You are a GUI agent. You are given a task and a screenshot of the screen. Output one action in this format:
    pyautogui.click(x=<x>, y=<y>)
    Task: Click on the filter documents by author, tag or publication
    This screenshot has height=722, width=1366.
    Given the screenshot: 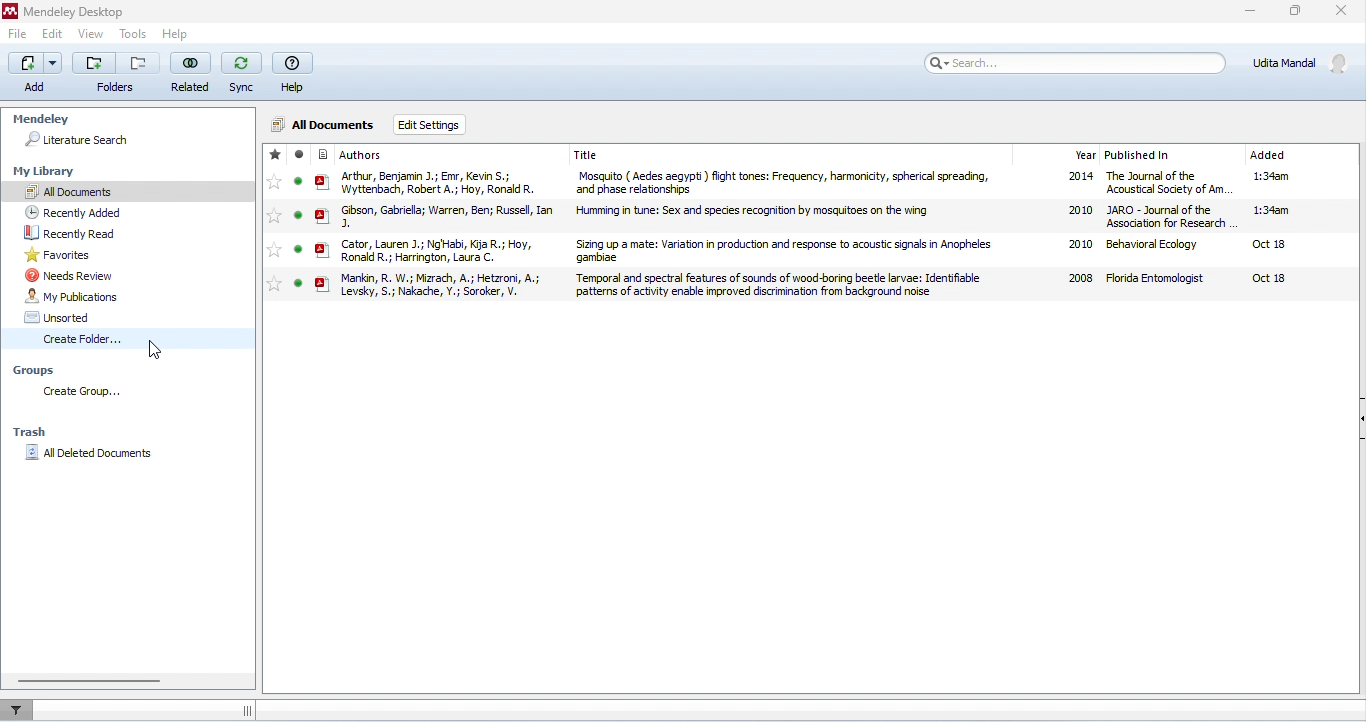 What is the action you would take?
    pyautogui.click(x=22, y=708)
    